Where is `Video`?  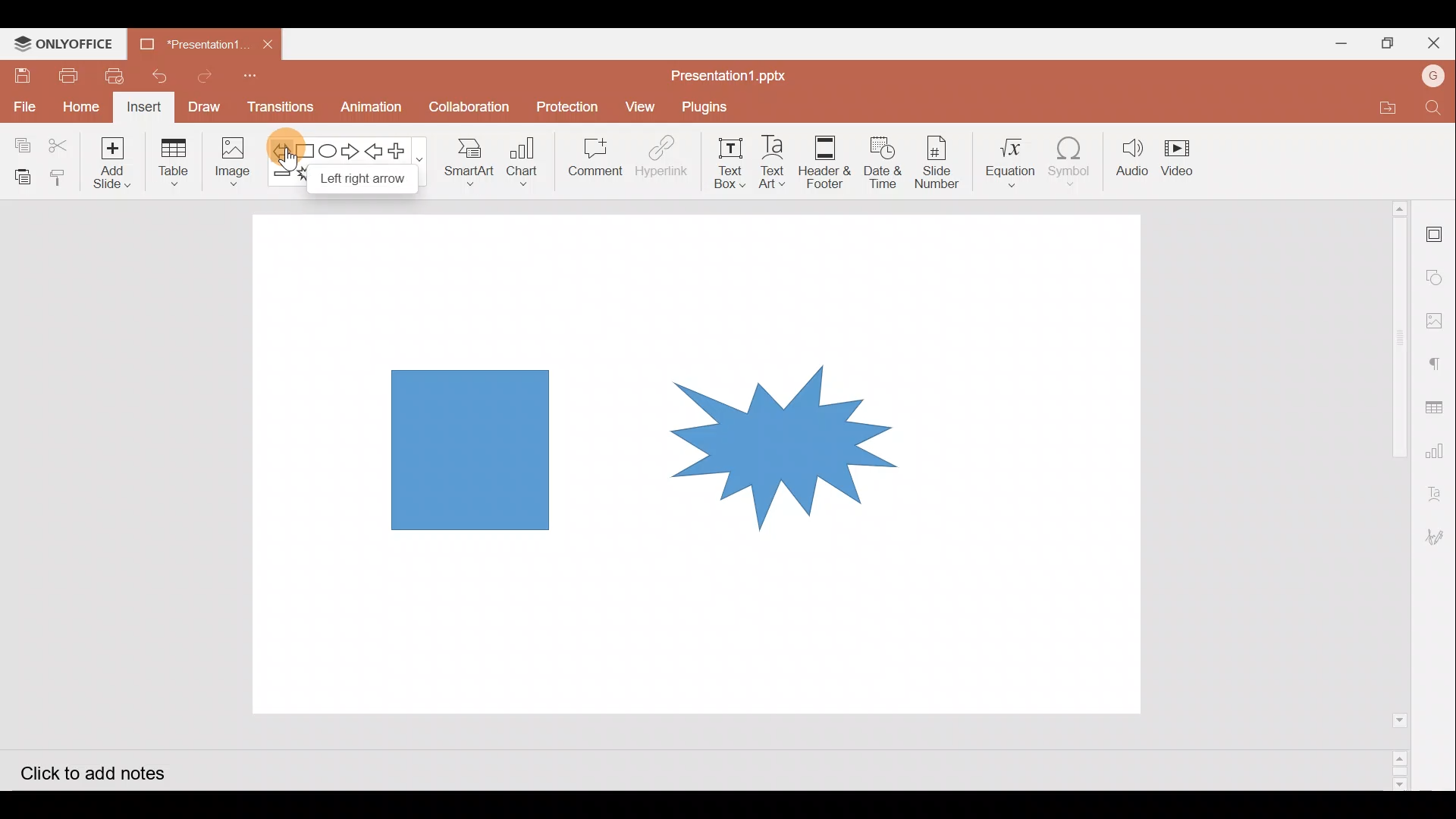
Video is located at coordinates (1187, 159).